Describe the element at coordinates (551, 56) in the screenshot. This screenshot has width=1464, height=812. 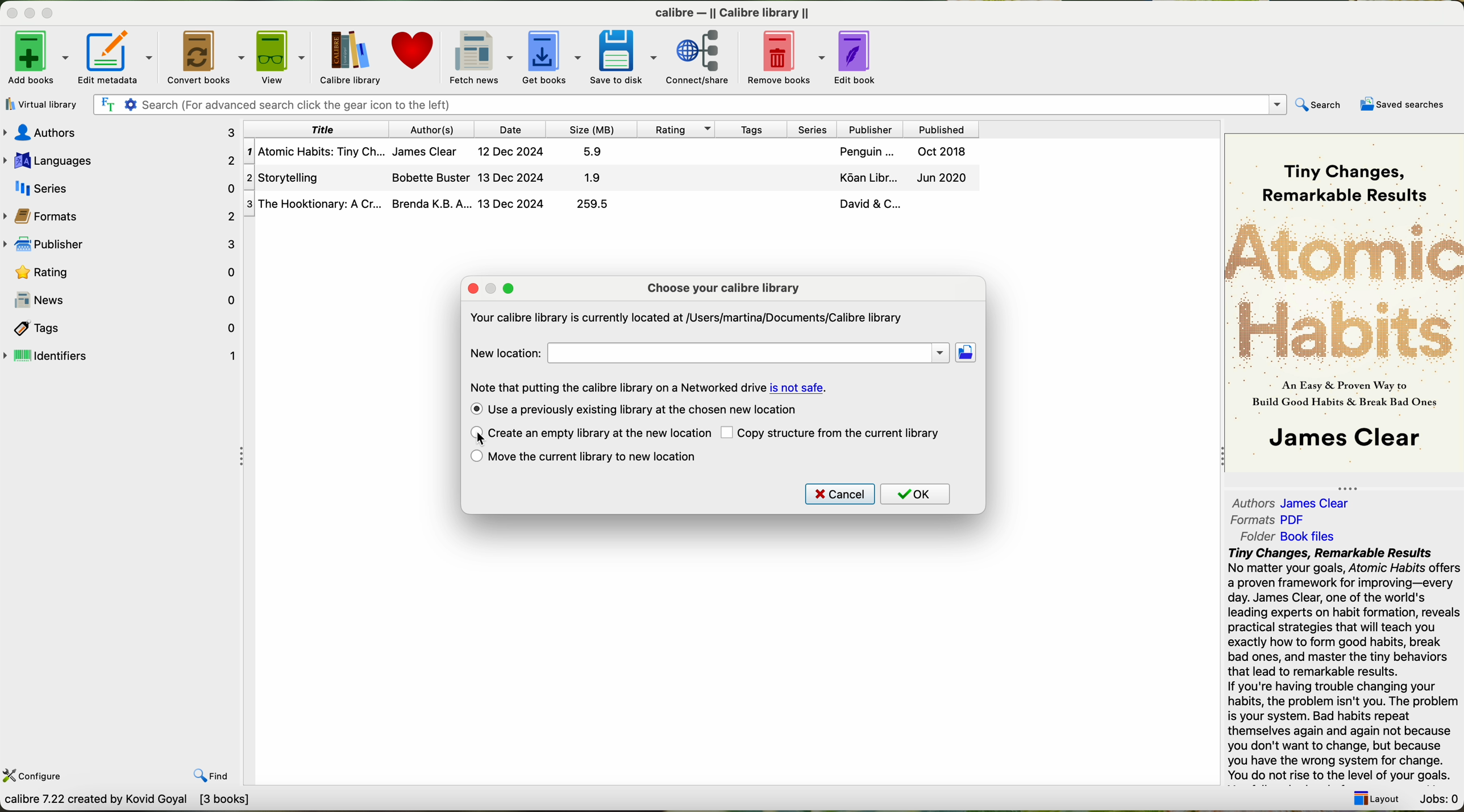
I see `get books` at that location.